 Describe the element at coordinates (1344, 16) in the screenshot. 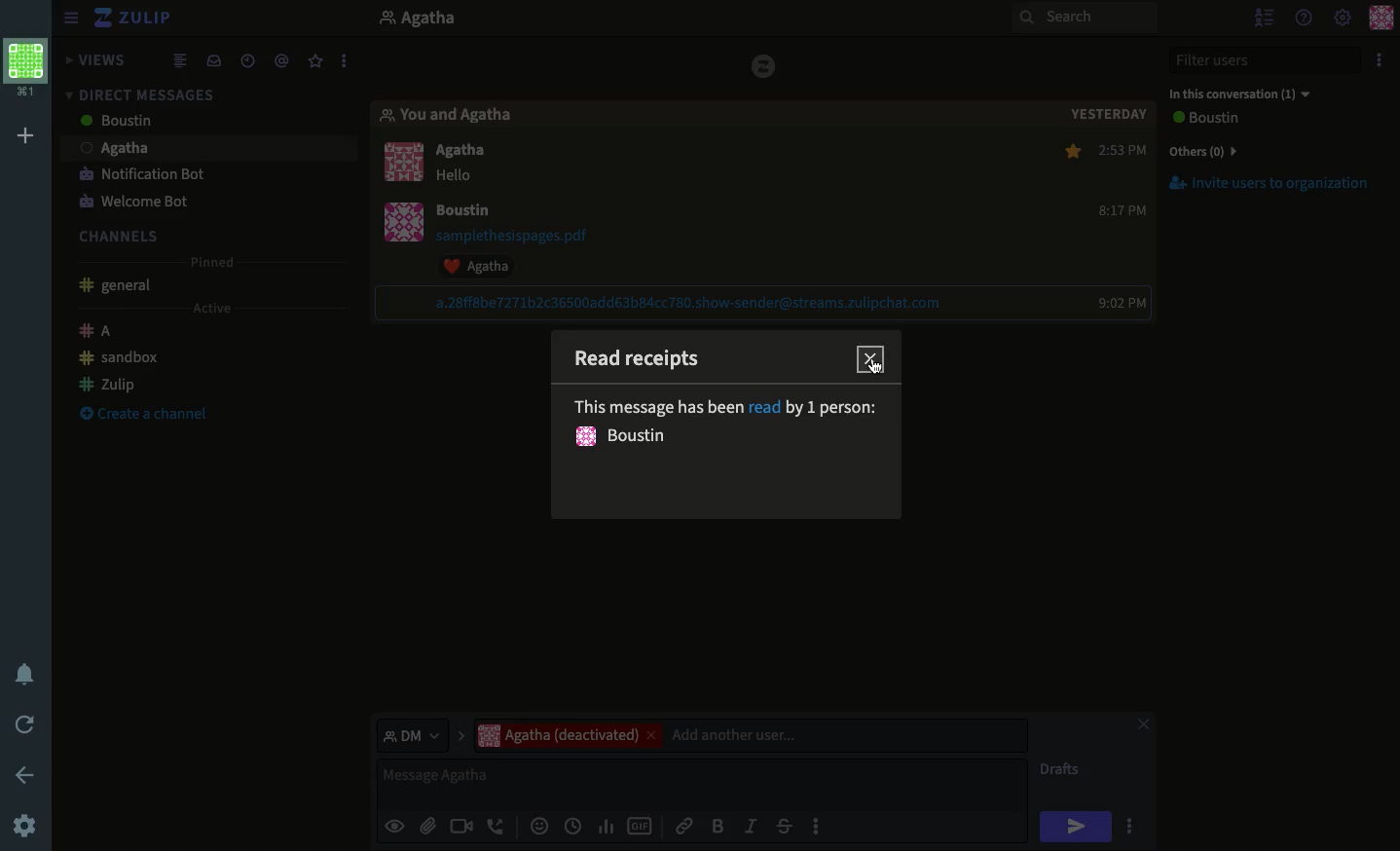

I see `Settings` at that location.